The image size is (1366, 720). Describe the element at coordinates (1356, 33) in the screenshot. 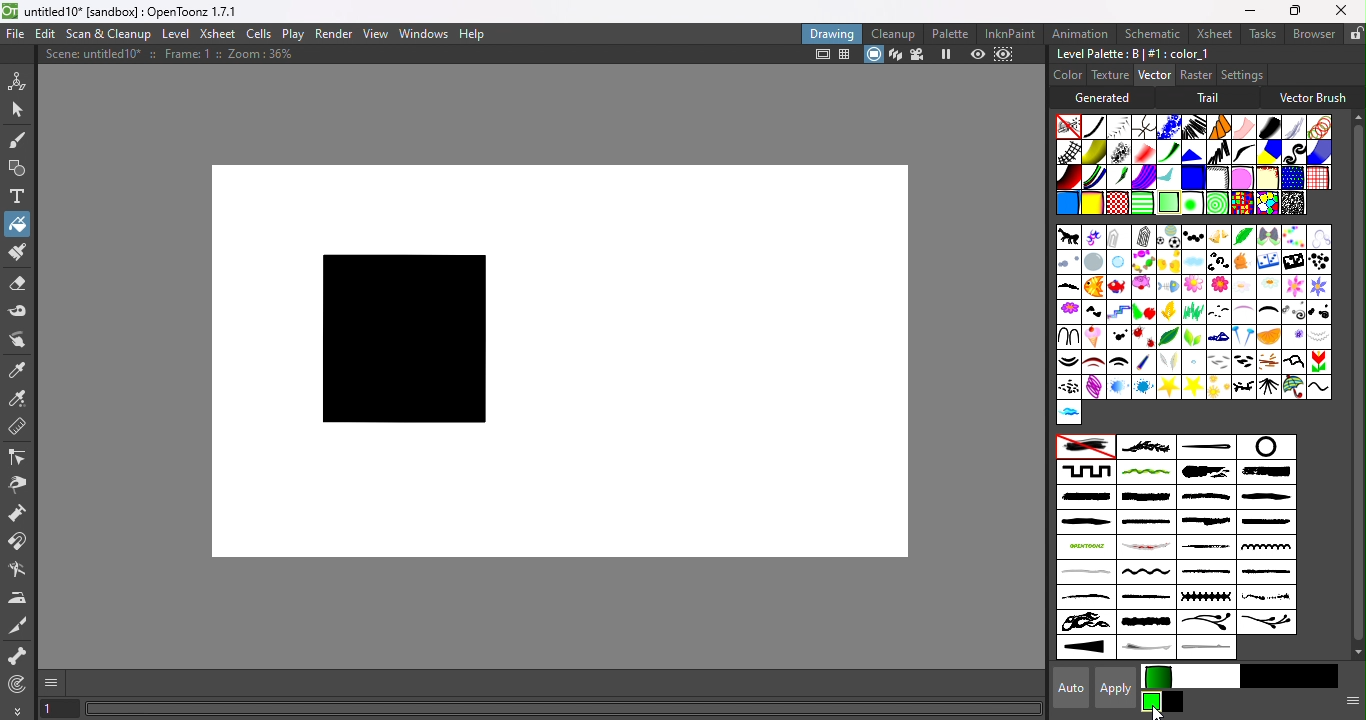

I see `Lock rooms tab` at that location.